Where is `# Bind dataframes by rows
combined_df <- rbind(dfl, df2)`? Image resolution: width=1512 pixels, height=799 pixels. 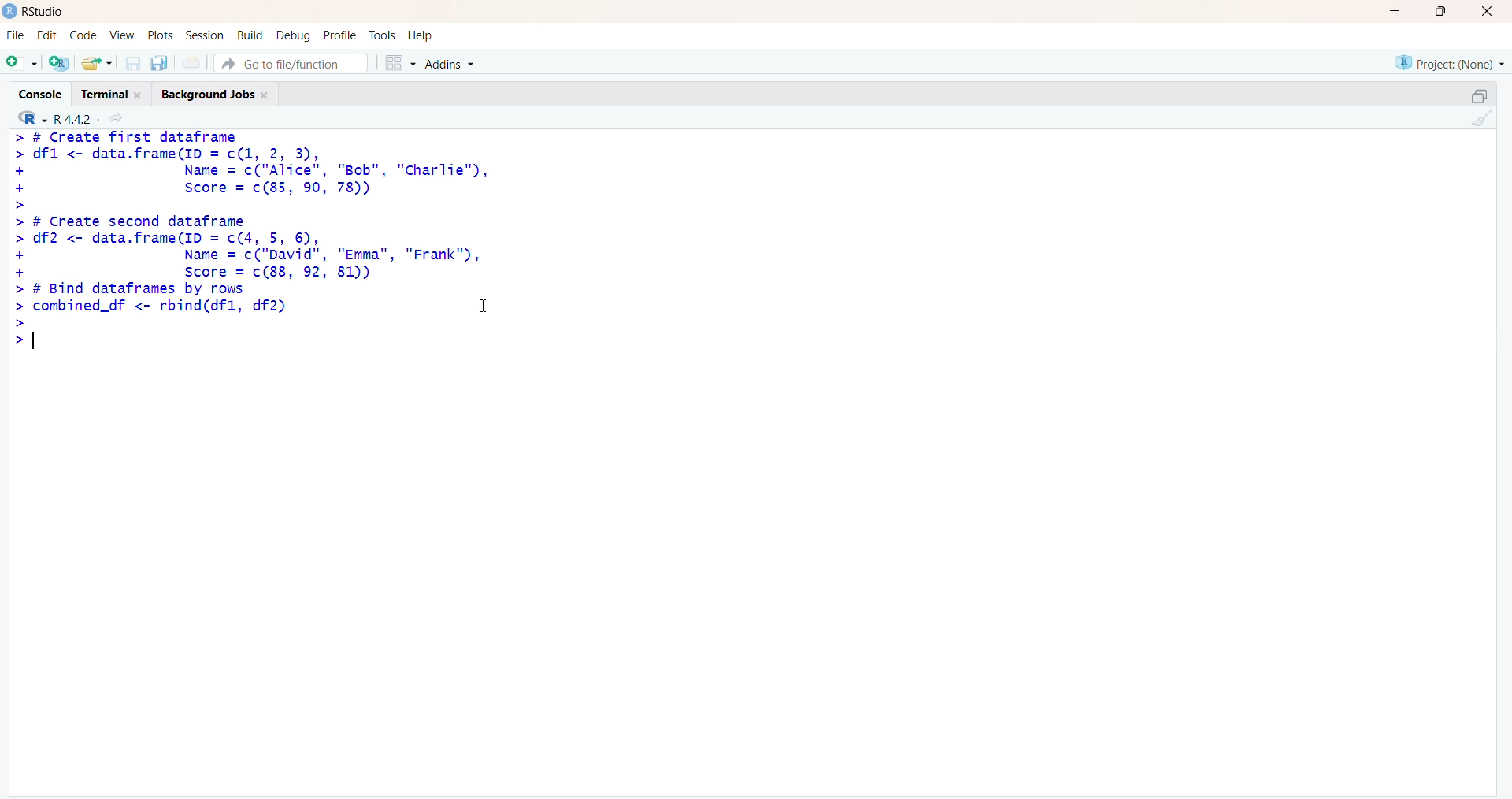 # Bind dataframes by rows
combined_df <- rbind(dfl, df2) is located at coordinates (154, 317).